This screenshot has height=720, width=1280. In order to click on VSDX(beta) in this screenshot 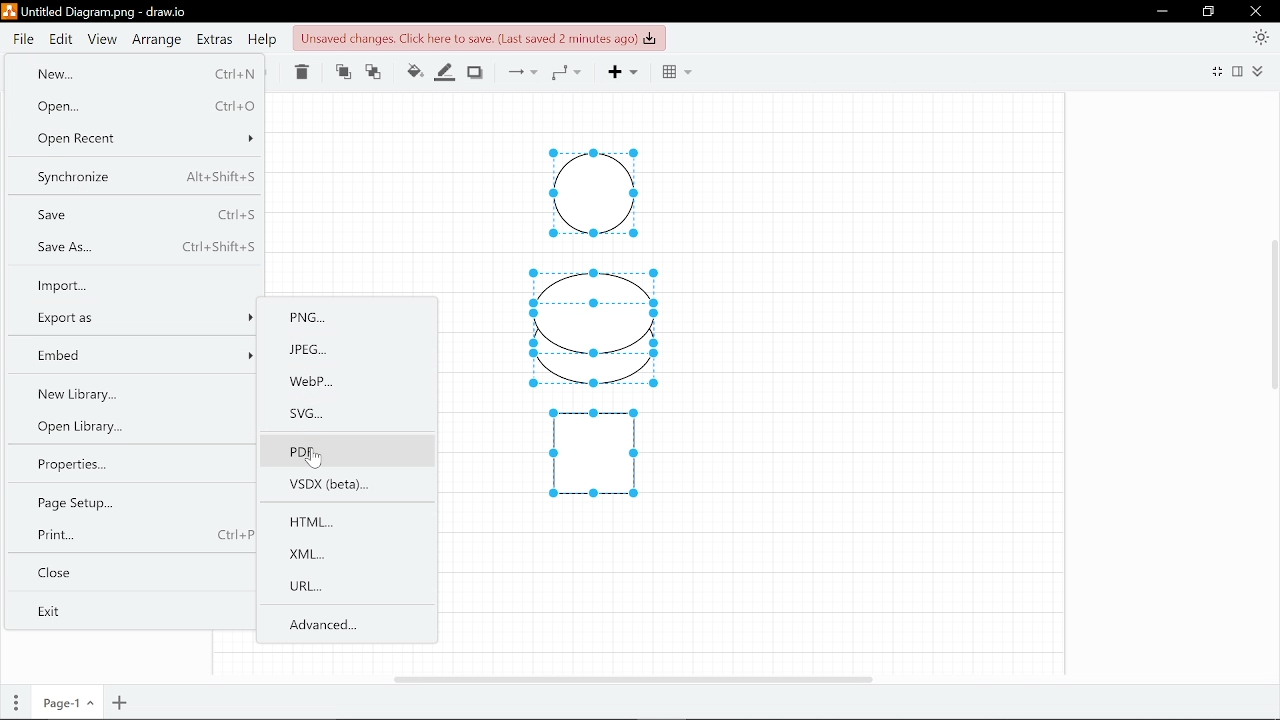, I will do `click(344, 487)`.